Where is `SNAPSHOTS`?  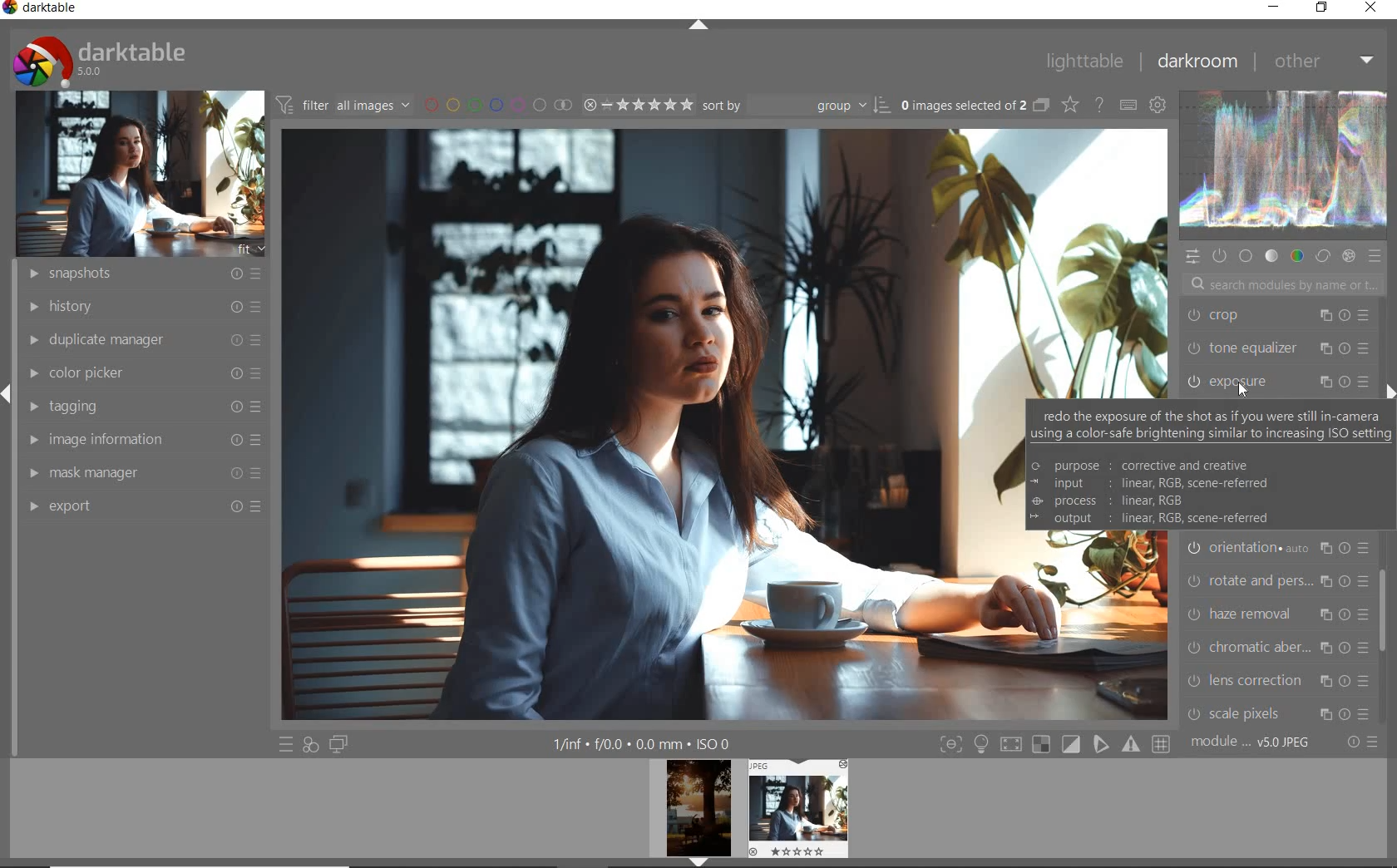
SNAPSHOTS is located at coordinates (146, 273).